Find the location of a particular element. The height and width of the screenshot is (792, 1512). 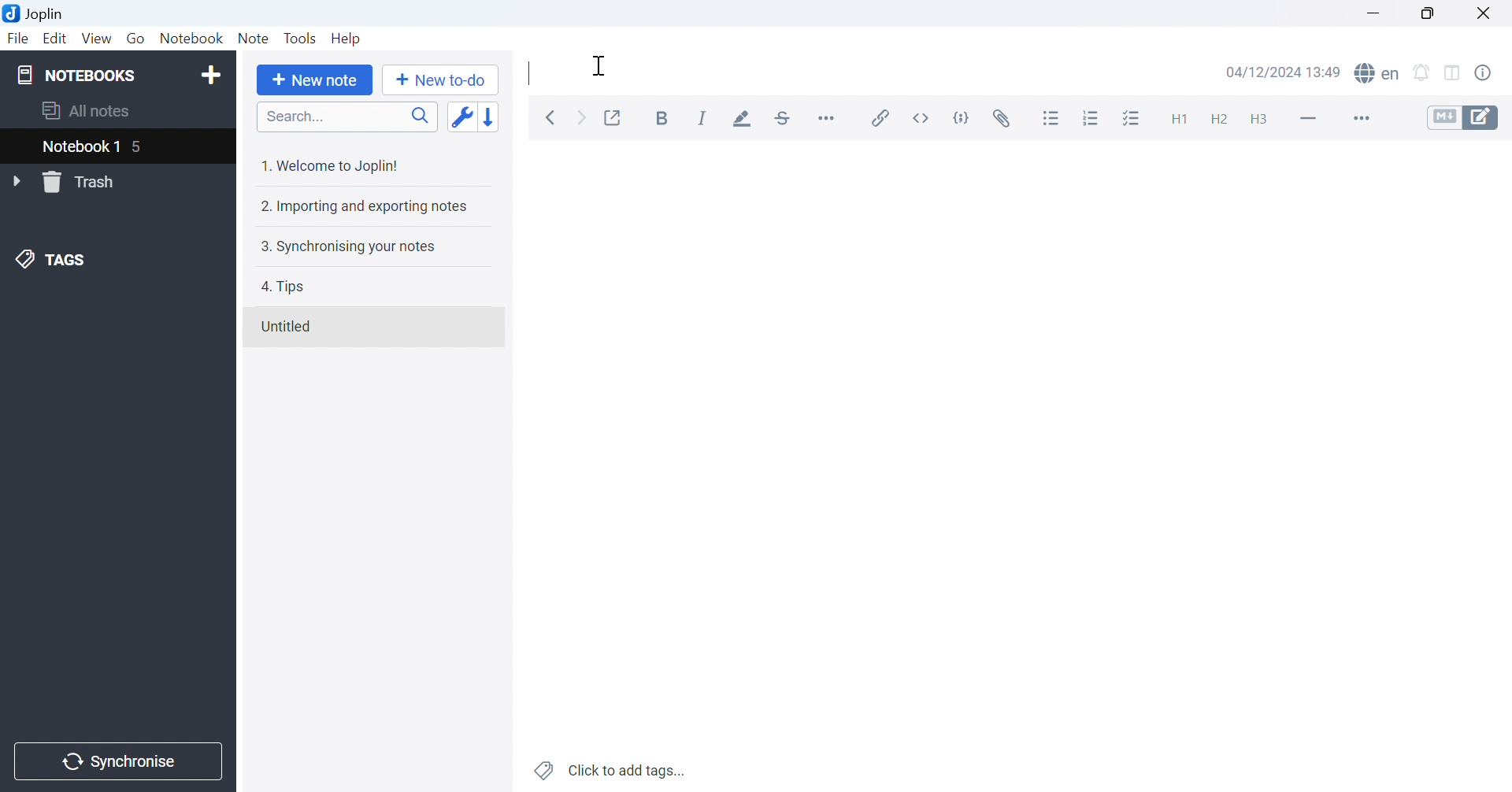

Notebook is located at coordinates (192, 37).